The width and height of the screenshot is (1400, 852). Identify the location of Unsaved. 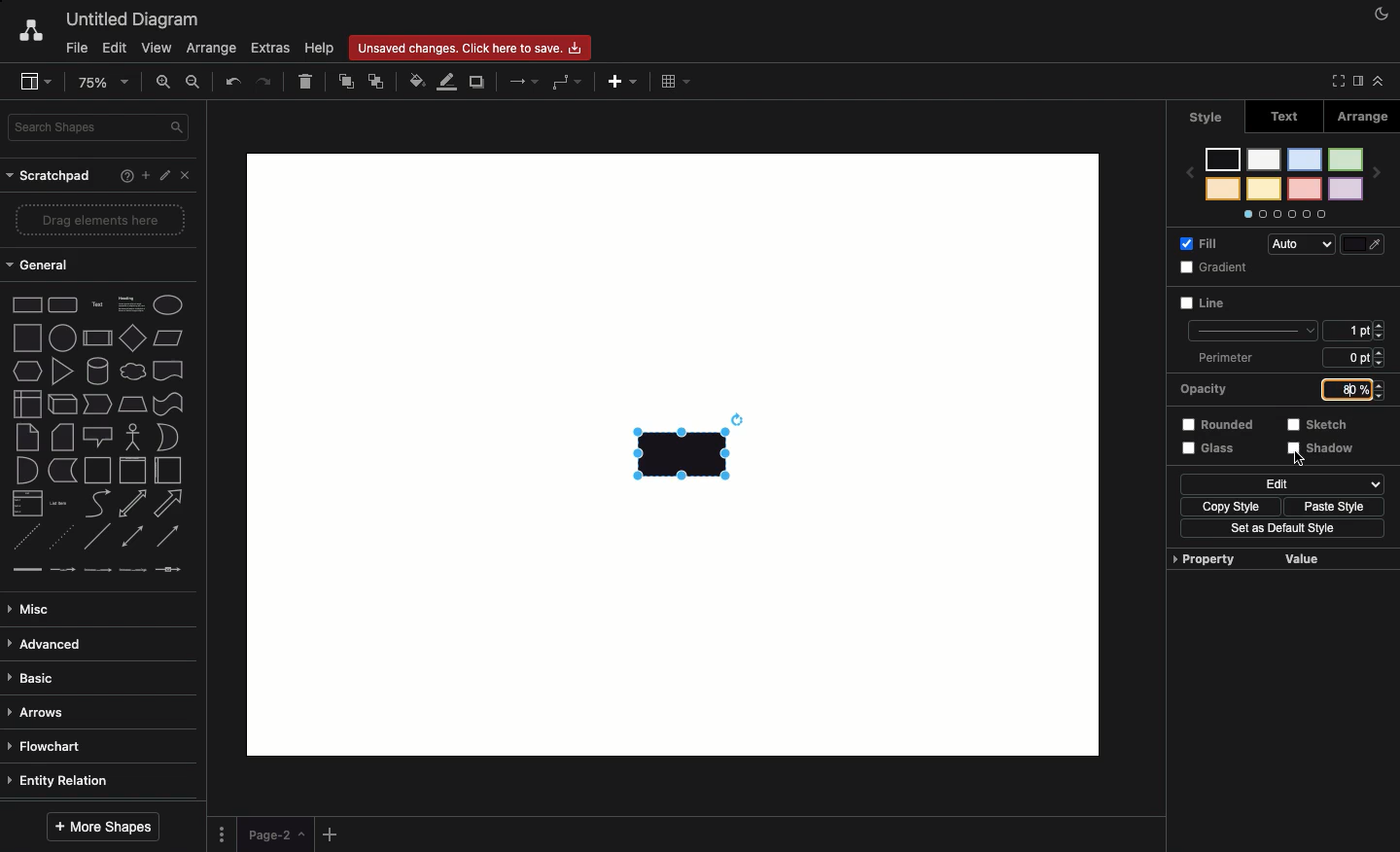
(471, 50).